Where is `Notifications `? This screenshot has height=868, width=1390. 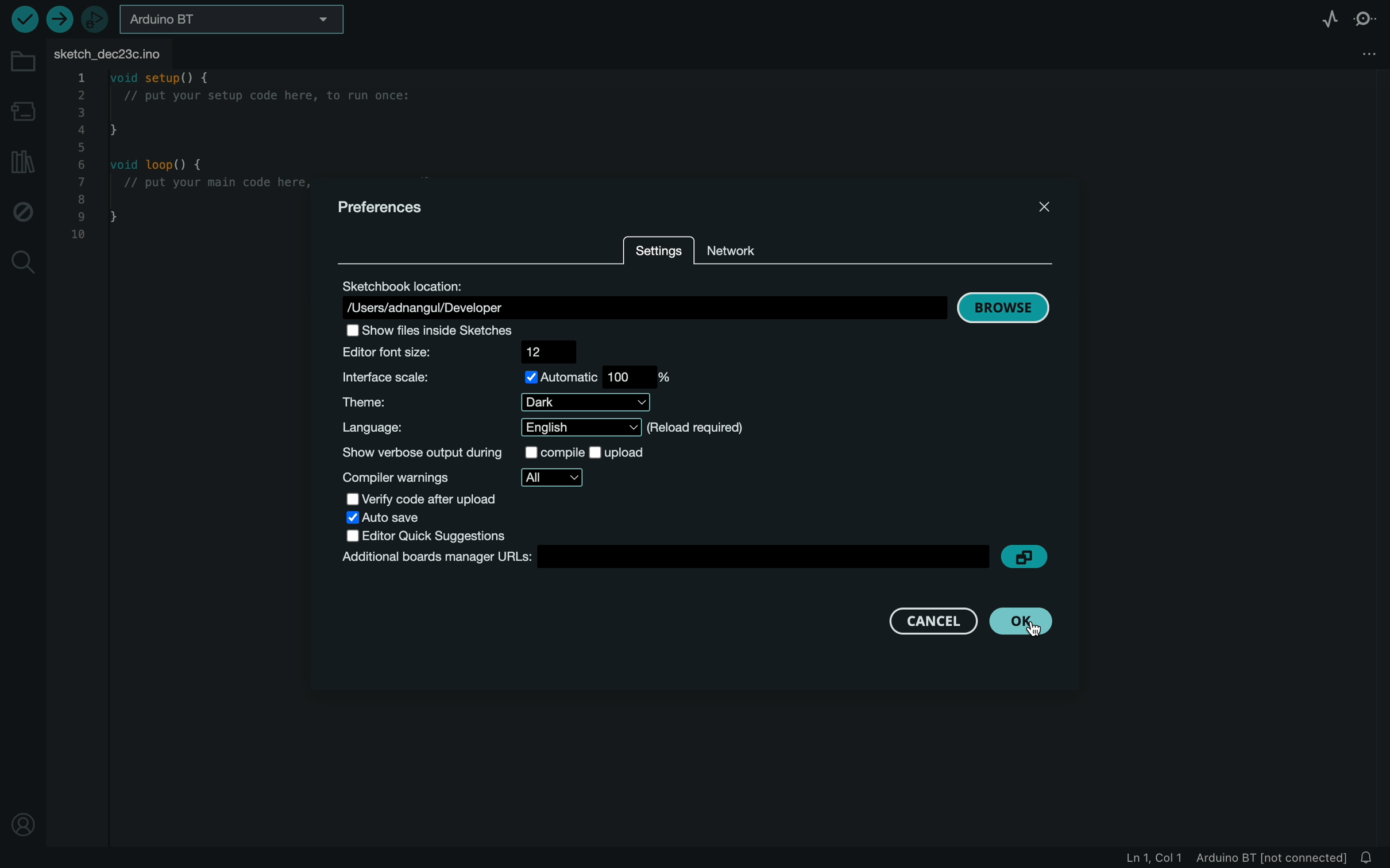 Notifications  is located at coordinates (1371, 856).